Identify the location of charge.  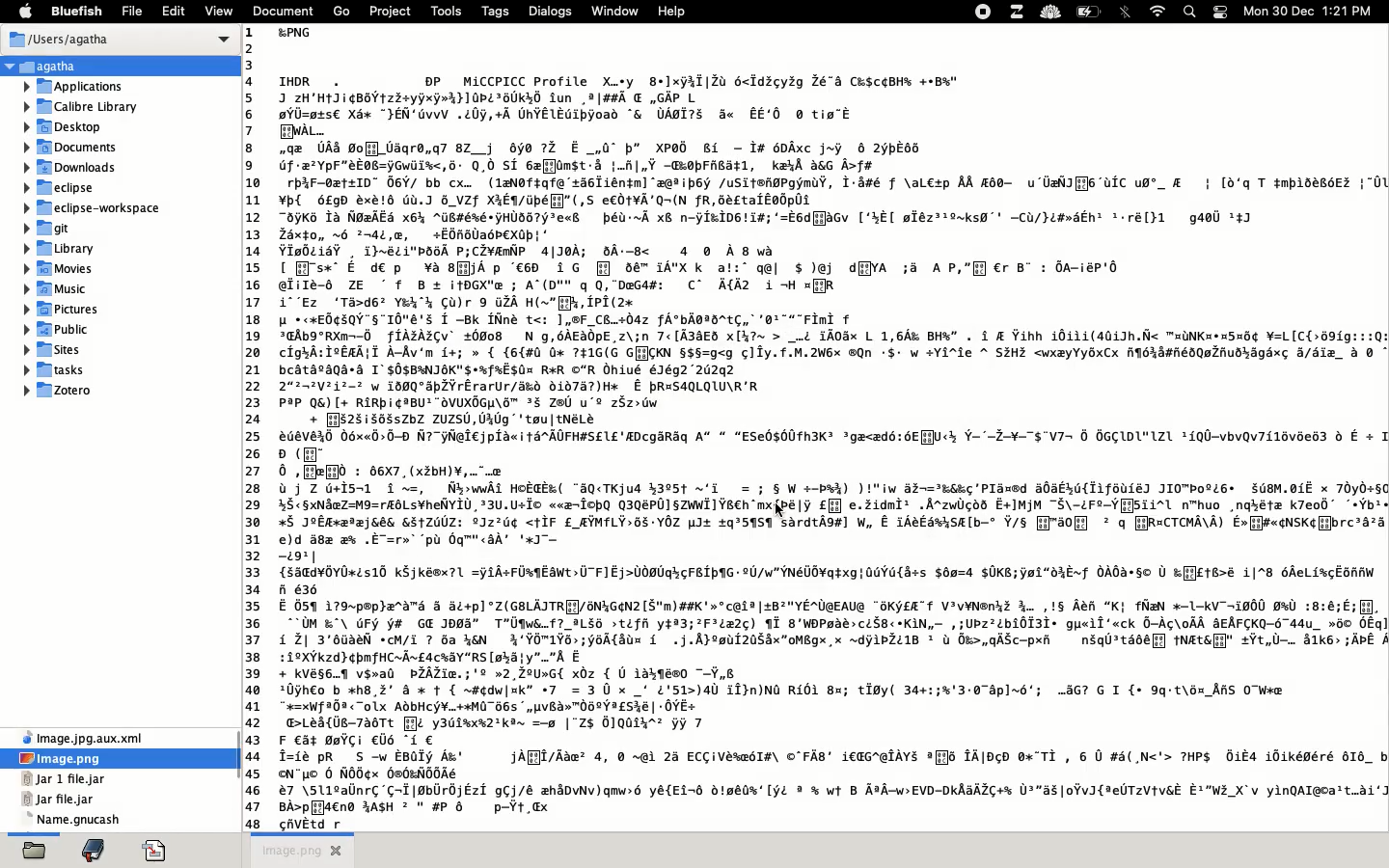
(1090, 12).